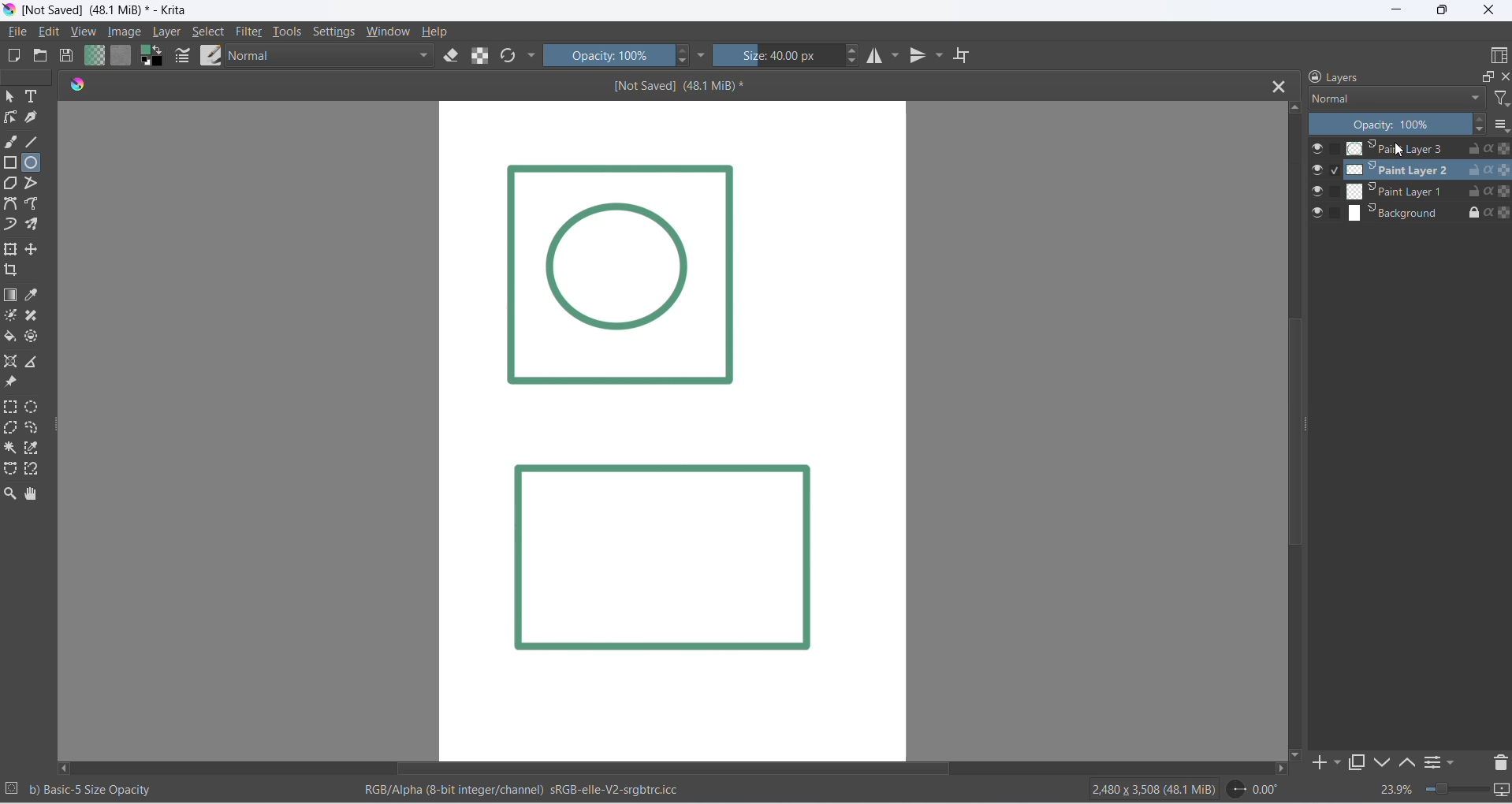 The width and height of the screenshot is (1512, 804). What do you see at coordinates (70, 56) in the screenshot?
I see `save` at bounding box center [70, 56].